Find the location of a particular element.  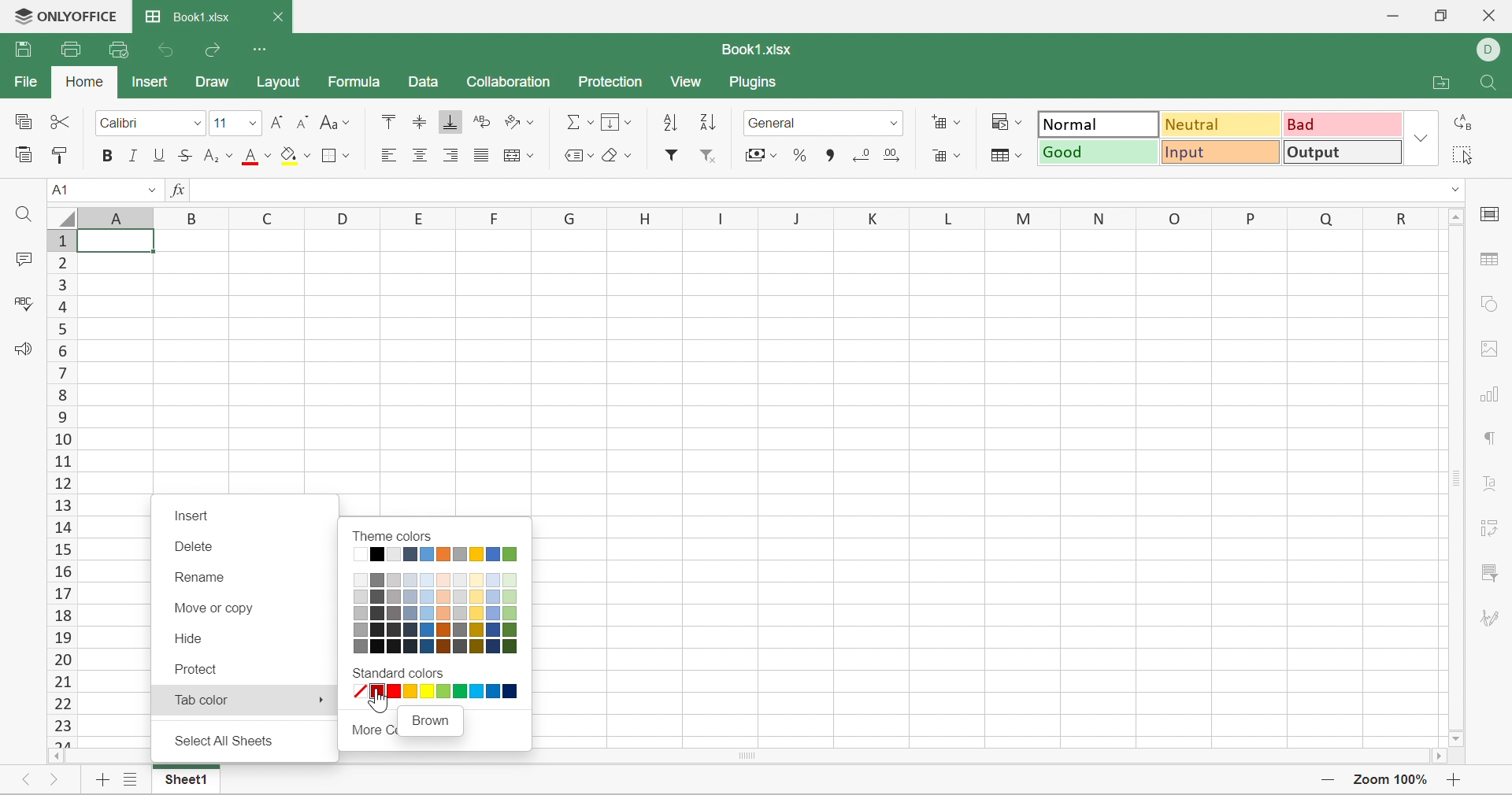

Restore down is located at coordinates (1442, 15).